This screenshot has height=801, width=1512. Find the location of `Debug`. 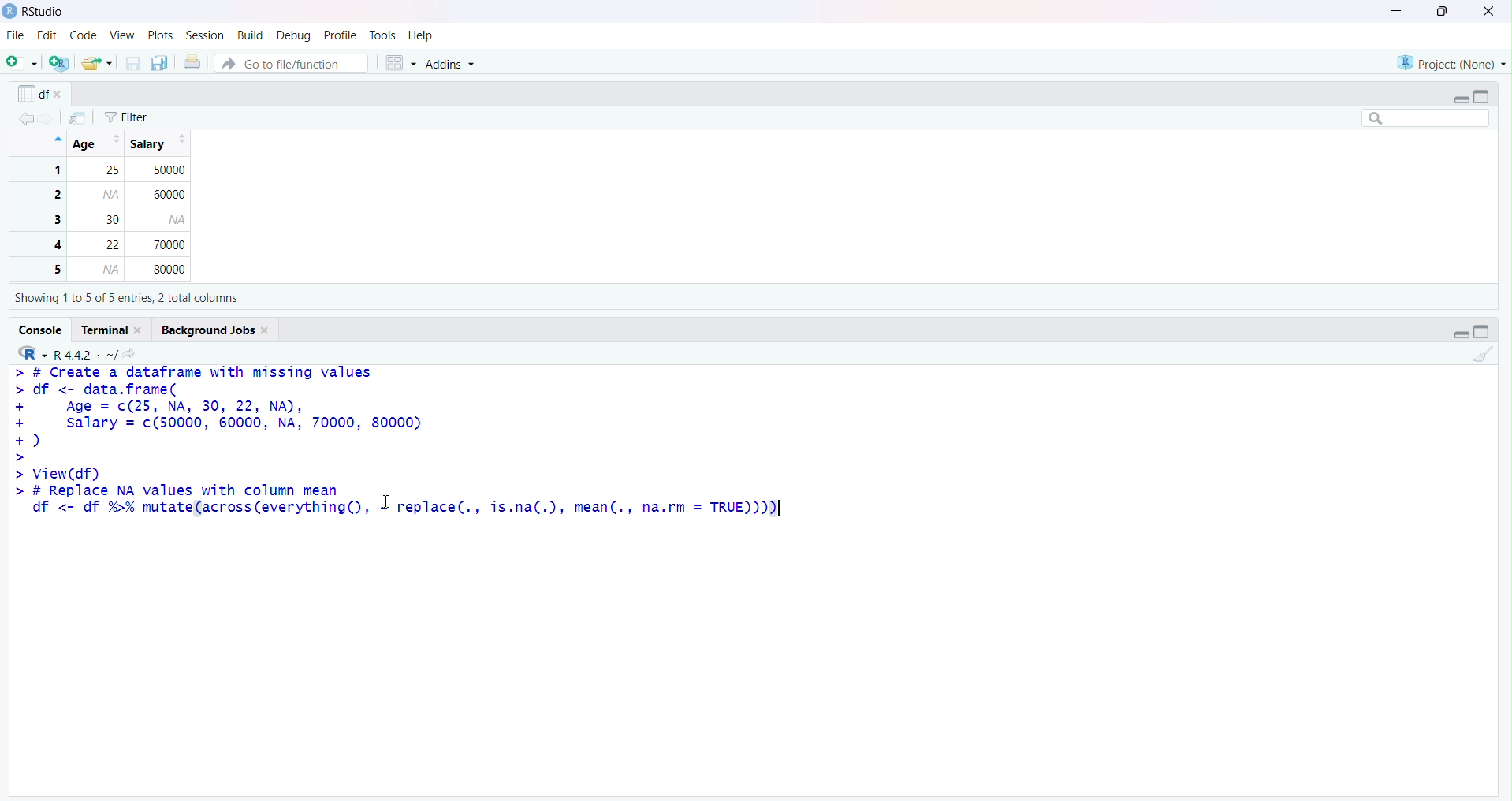

Debug is located at coordinates (296, 35).